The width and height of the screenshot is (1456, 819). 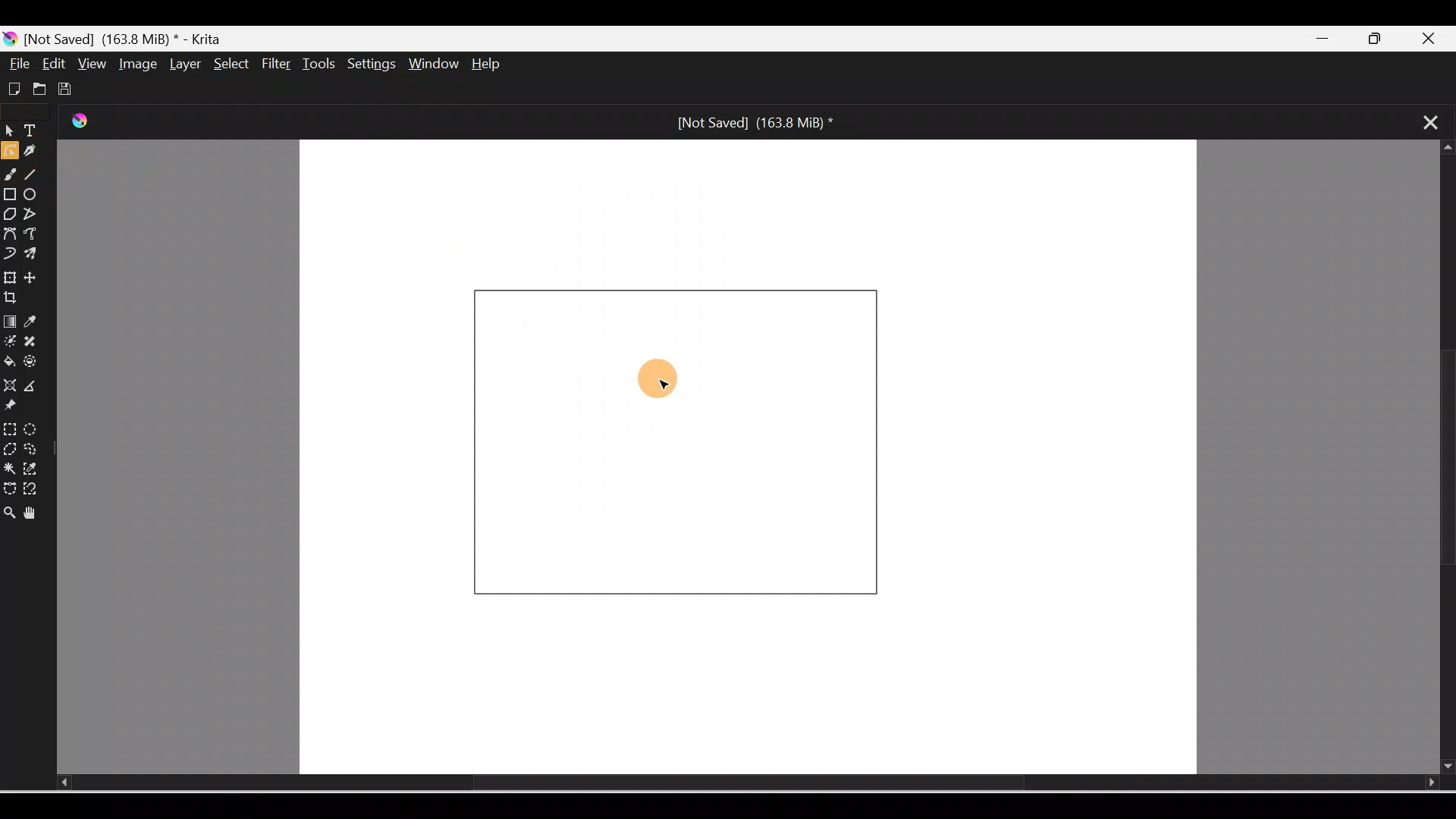 What do you see at coordinates (35, 490) in the screenshot?
I see `Magnetic curve selection tool` at bounding box center [35, 490].